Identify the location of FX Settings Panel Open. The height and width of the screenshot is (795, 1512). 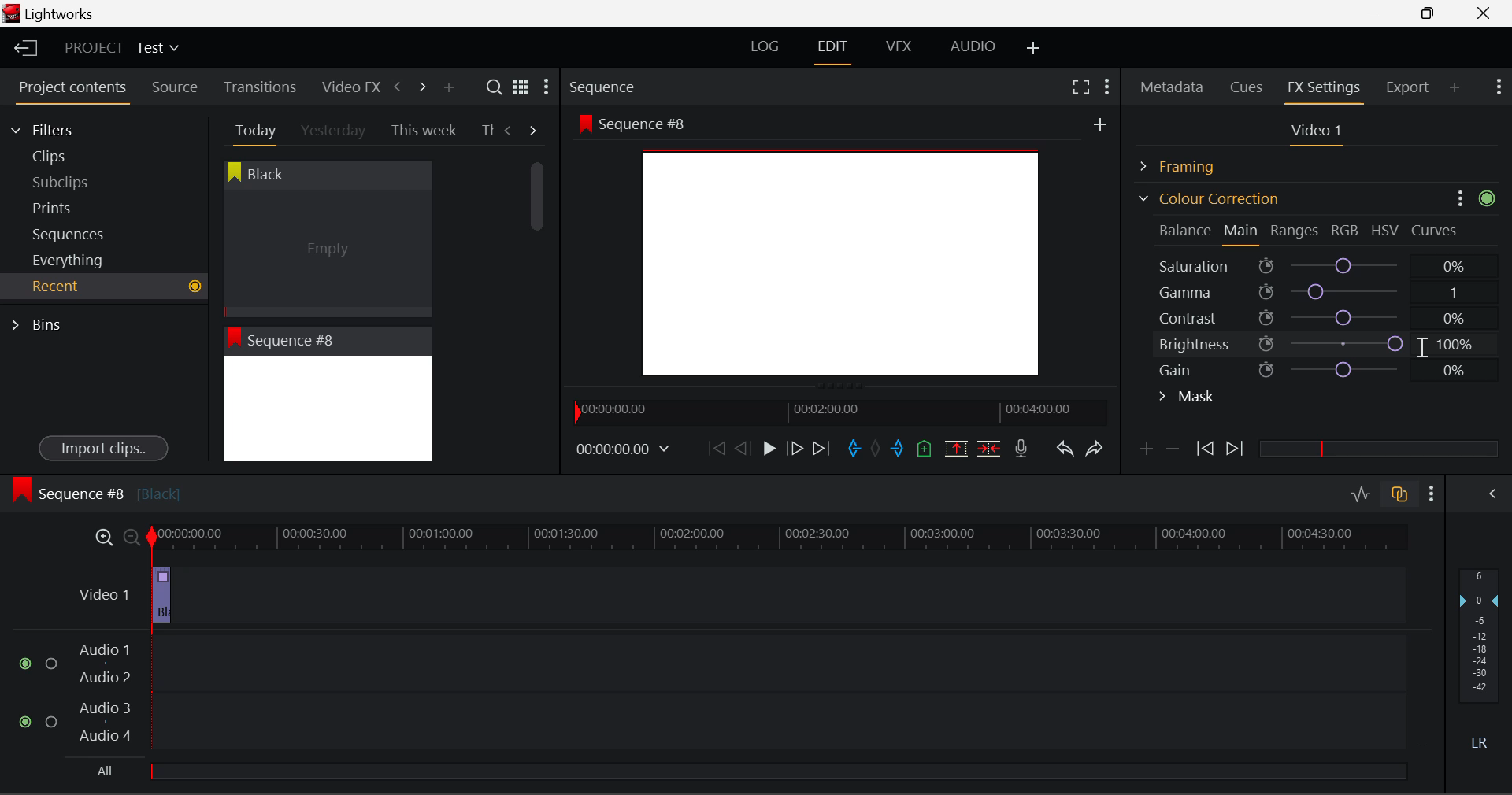
(1325, 89).